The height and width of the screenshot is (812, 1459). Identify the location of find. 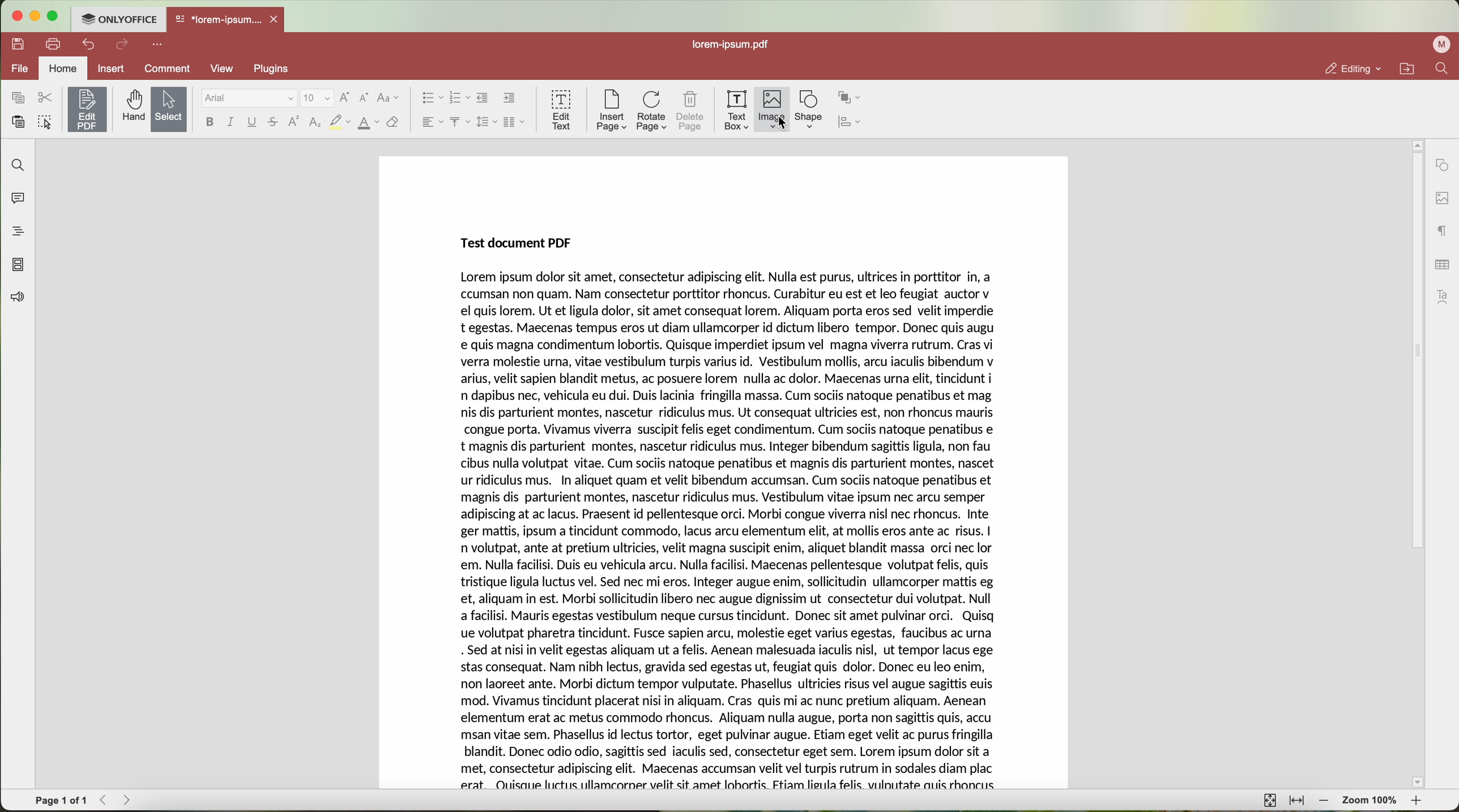
(15, 164).